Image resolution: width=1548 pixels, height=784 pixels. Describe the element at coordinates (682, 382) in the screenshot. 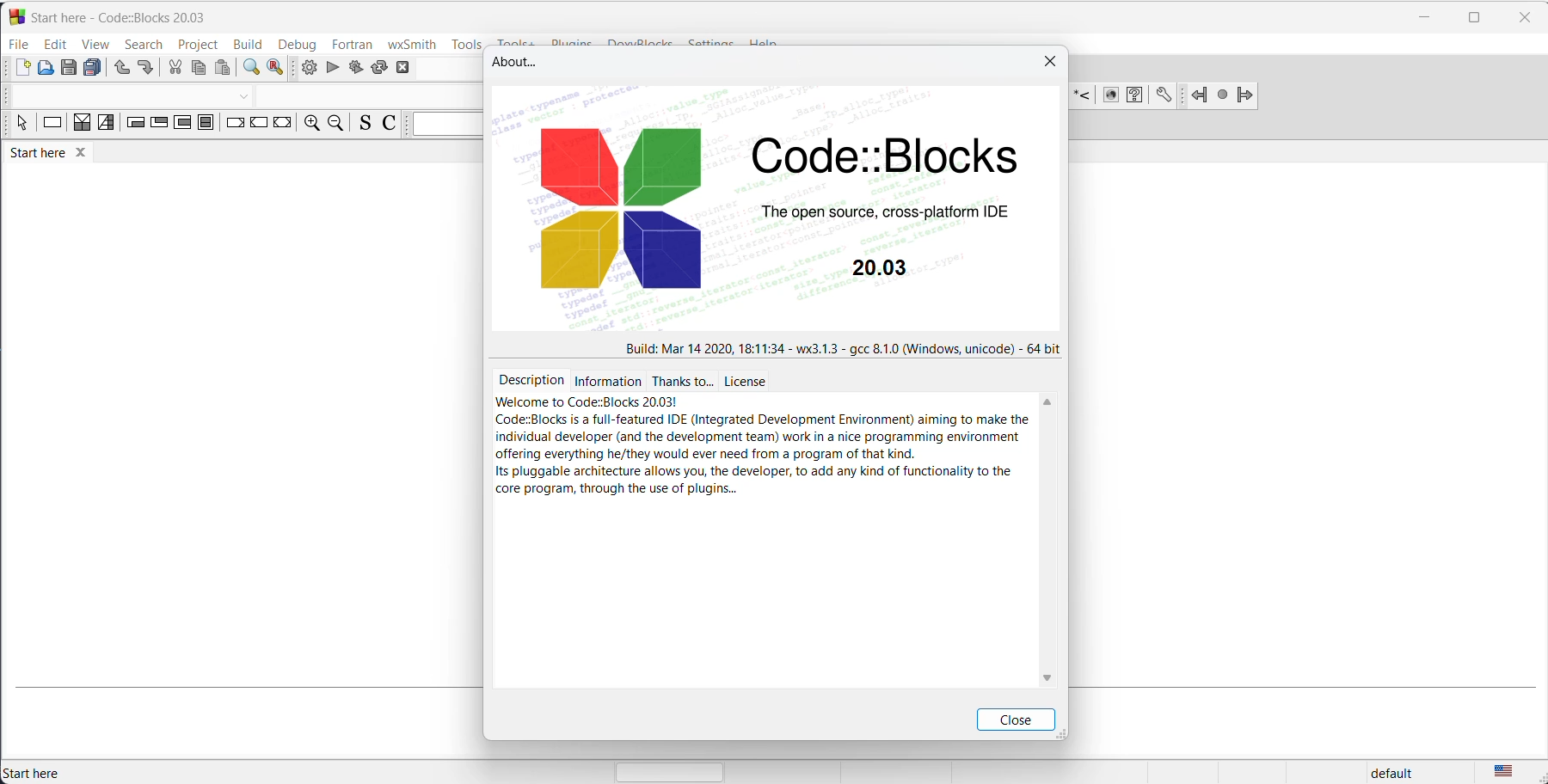

I see `Thanks to...` at that location.